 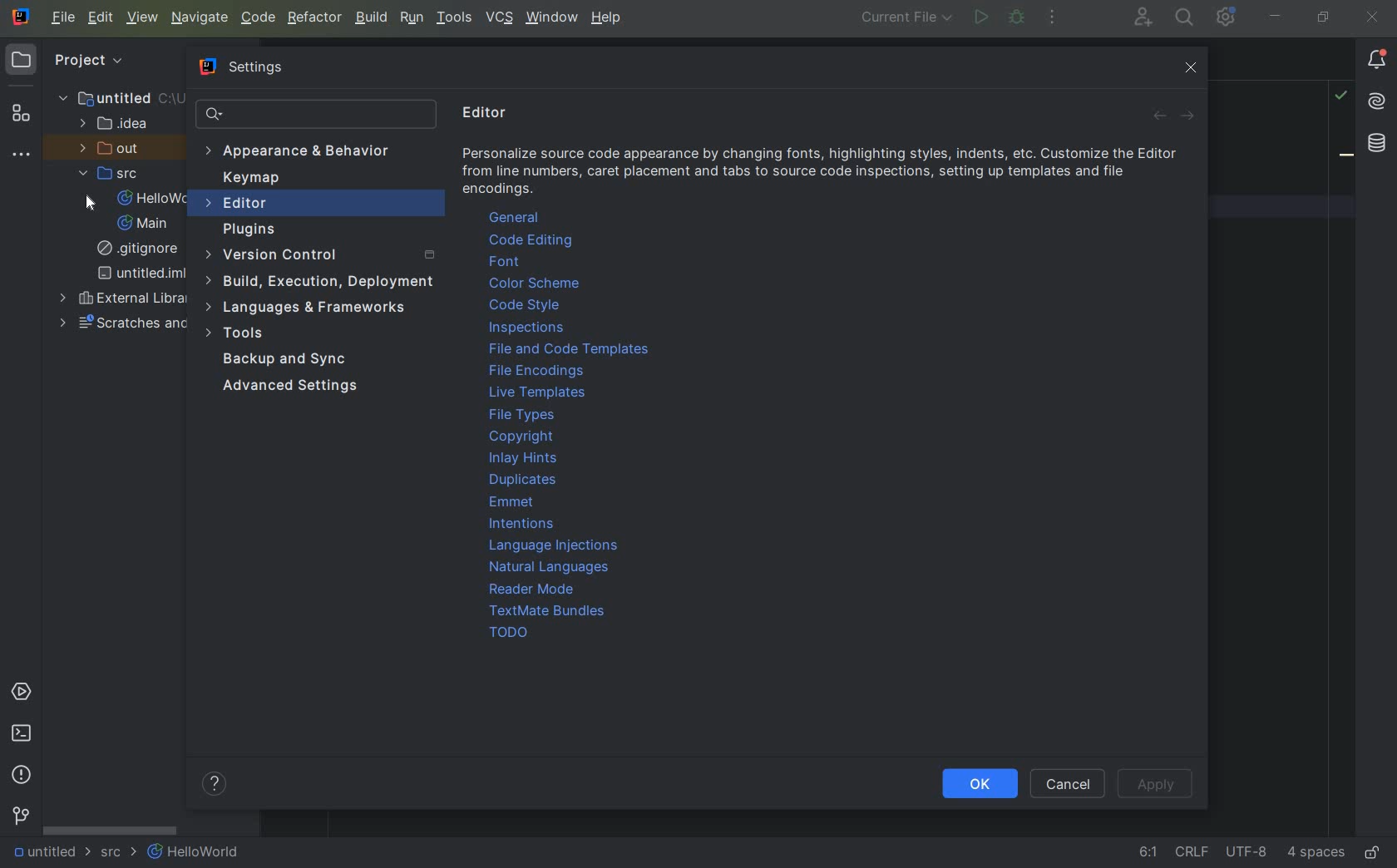 What do you see at coordinates (101, 17) in the screenshot?
I see `EDIT` at bounding box center [101, 17].